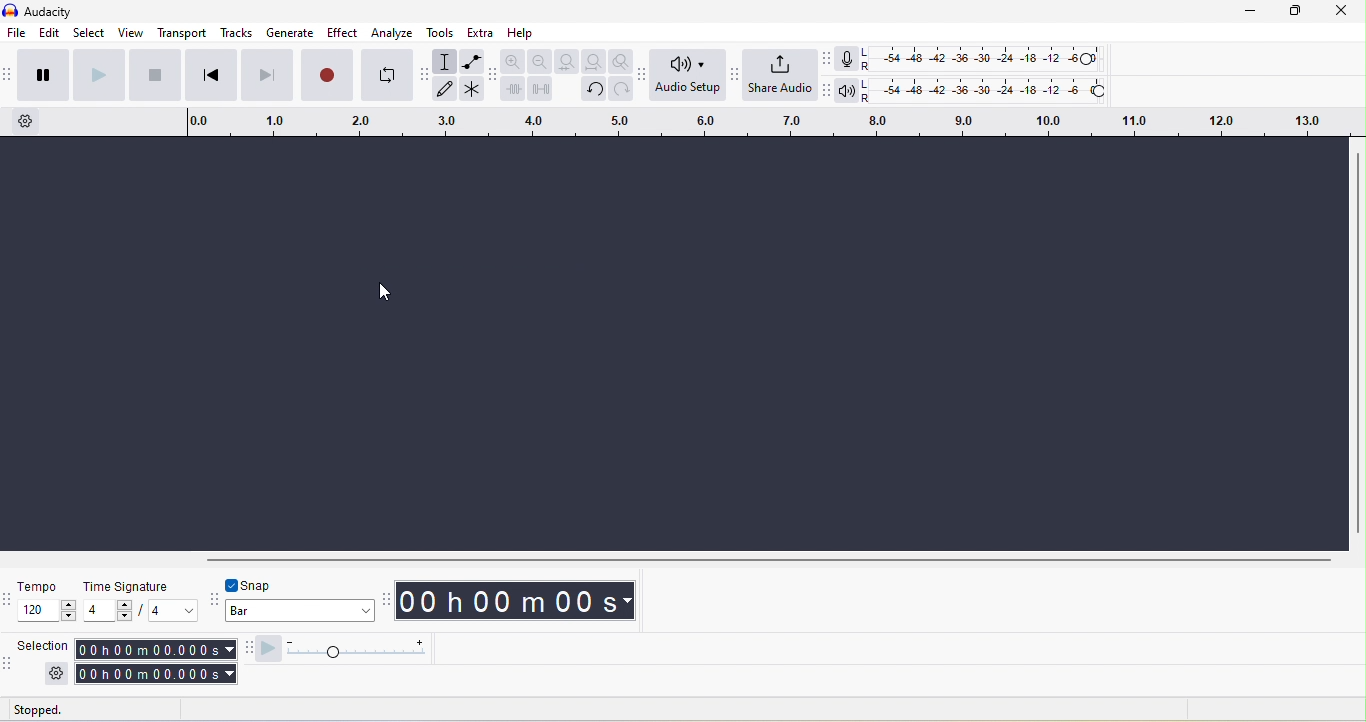 The height and width of the screenshot is (722, 1366). What do you see at coordinates (131, 32) in the screenshot?
I see `view` at bounding box center [131, 32].